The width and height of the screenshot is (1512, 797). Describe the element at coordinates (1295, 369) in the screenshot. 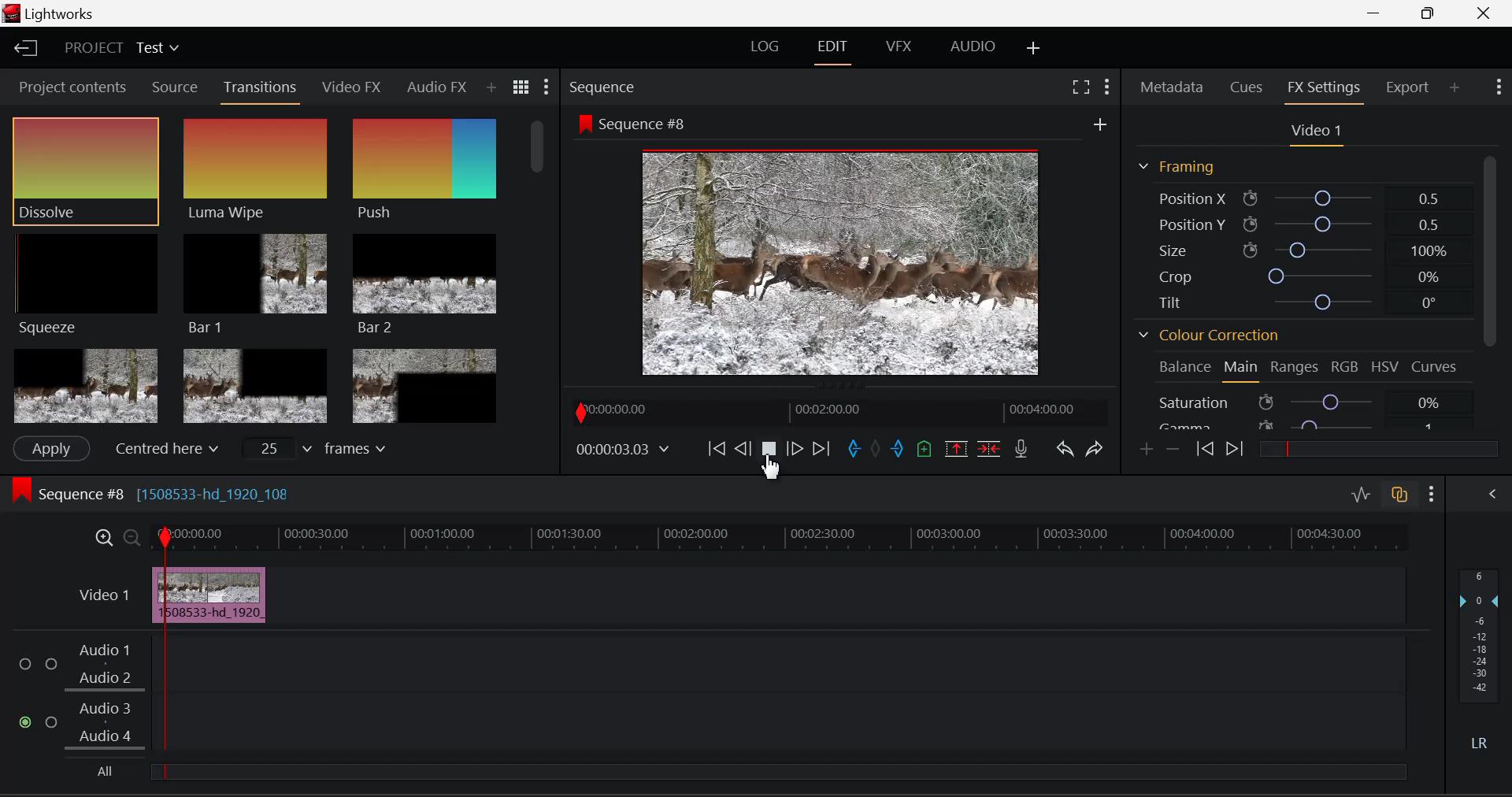

I see `Ranges` at that location.